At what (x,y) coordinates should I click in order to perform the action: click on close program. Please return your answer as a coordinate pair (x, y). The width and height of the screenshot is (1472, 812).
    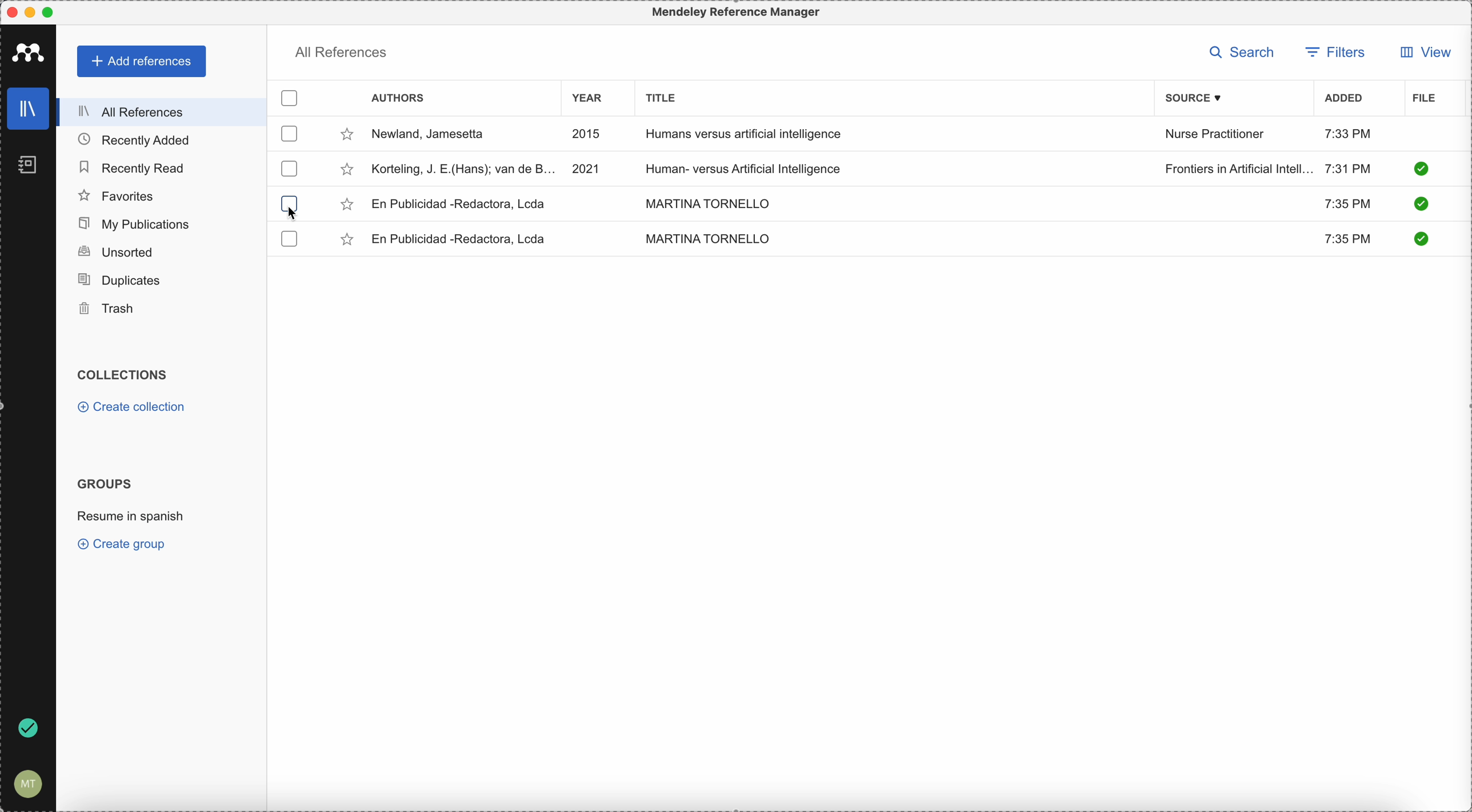
    Looking at the image, I should click on (12, 13).